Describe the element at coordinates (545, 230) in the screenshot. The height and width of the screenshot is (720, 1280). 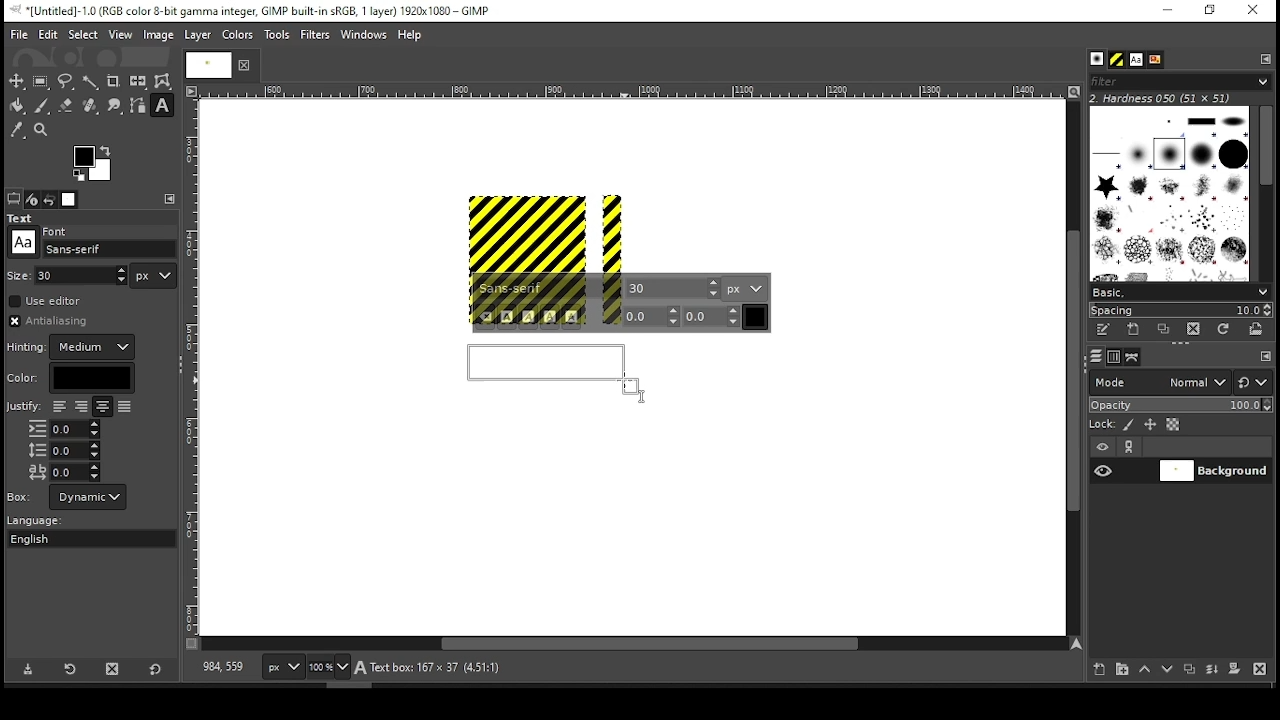
I see `` at that location.